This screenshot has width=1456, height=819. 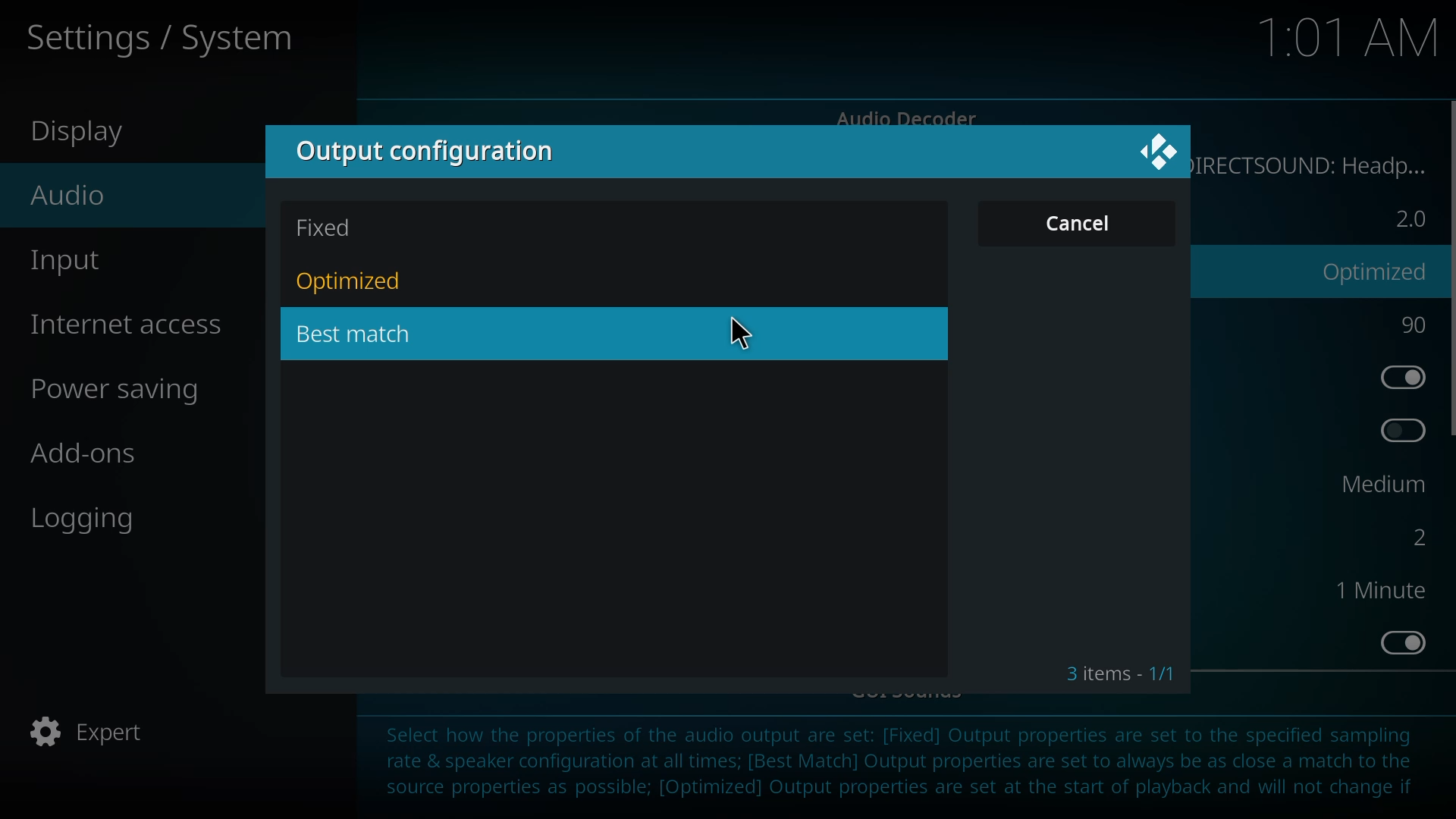 What do you see at coordinates (89, 453) in the screenshot?
I see `add-ons` at bounding box center [89, 453].